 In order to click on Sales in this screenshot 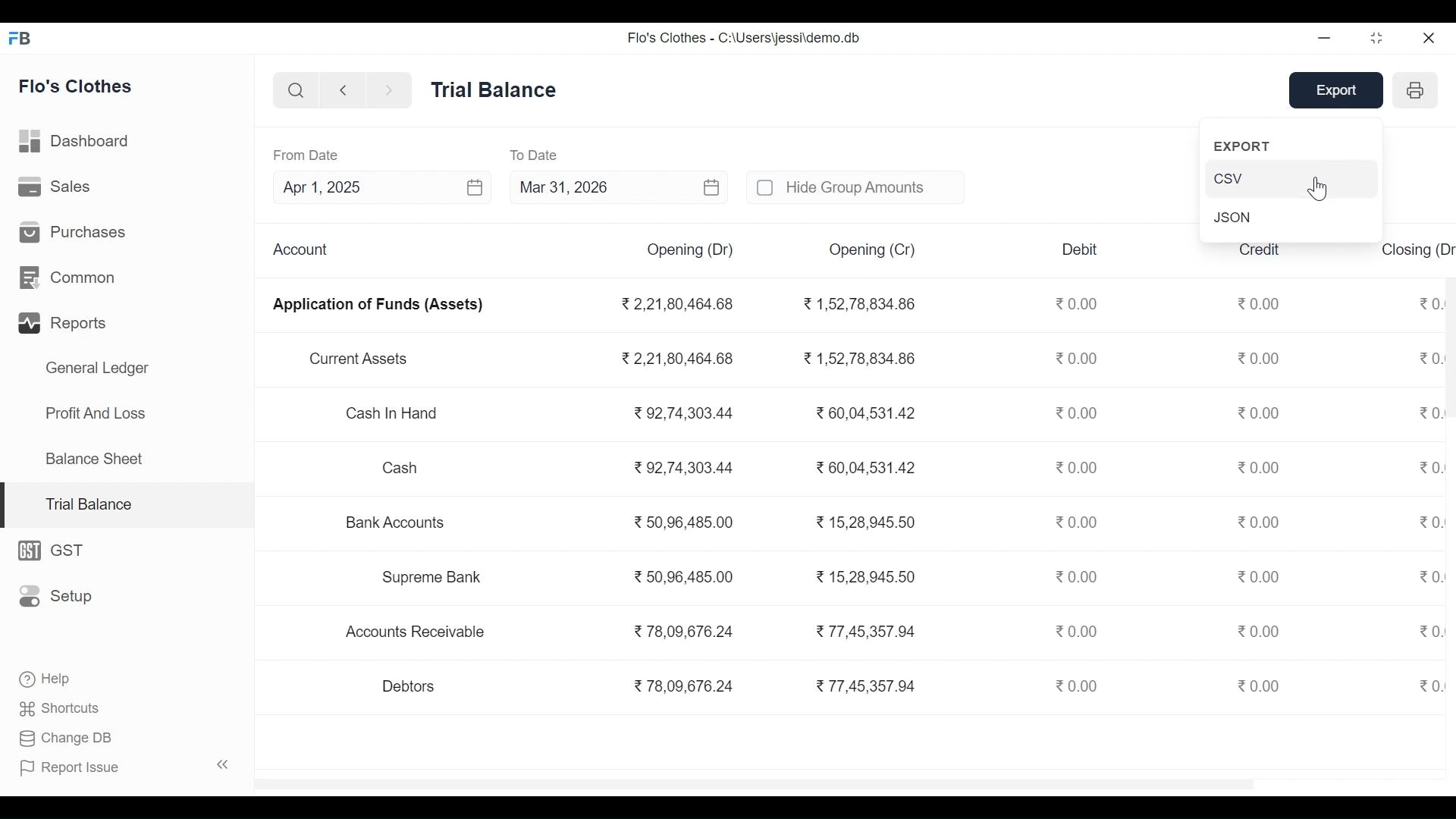, I will do `click(58, 187)`.